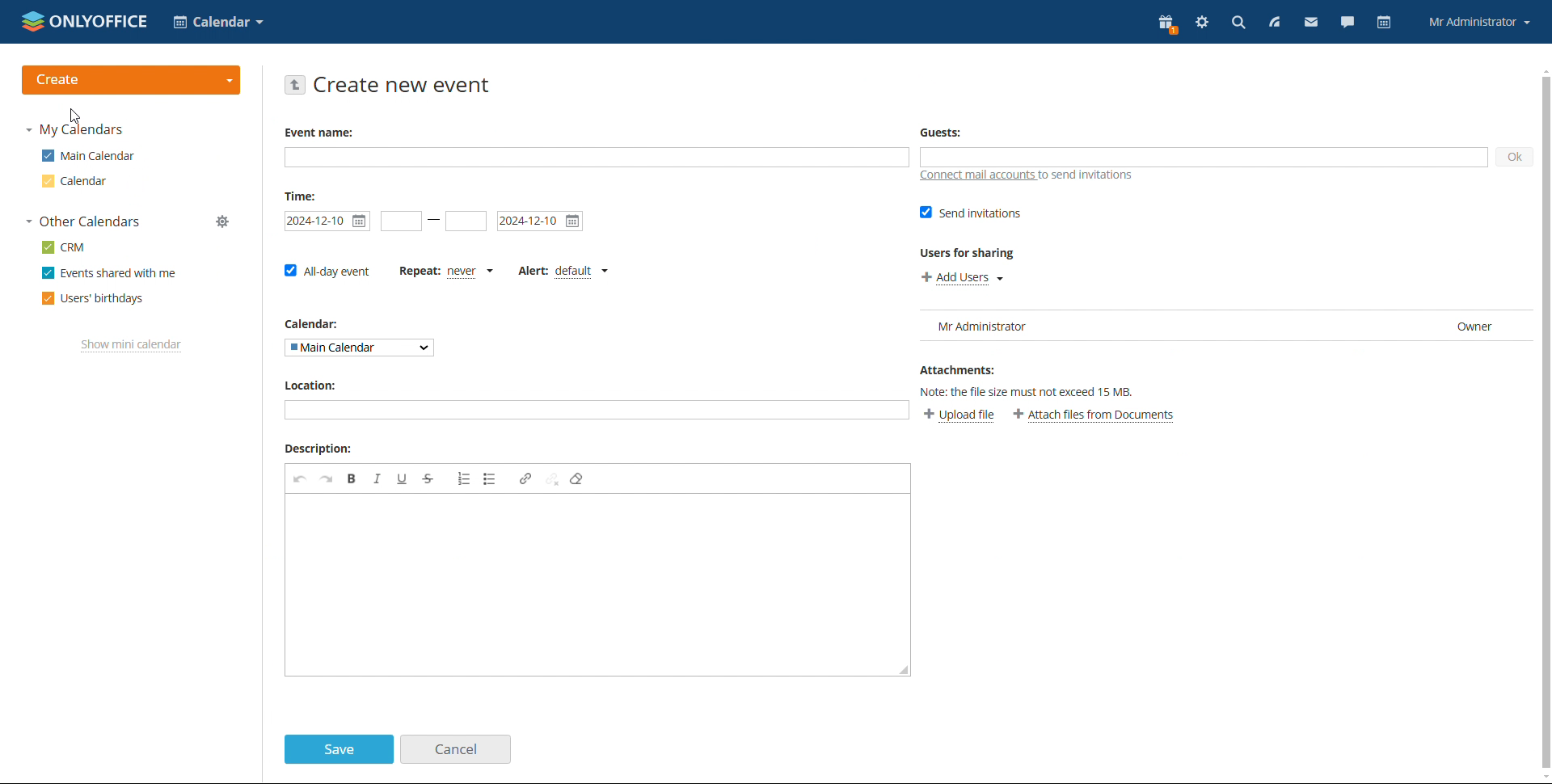 Image resolution: width=1552 pixels, height=784 pixels. What do you see at coordinates (219, 22) in the screenshot?
I see `select application` at bounding box center [219, 22].